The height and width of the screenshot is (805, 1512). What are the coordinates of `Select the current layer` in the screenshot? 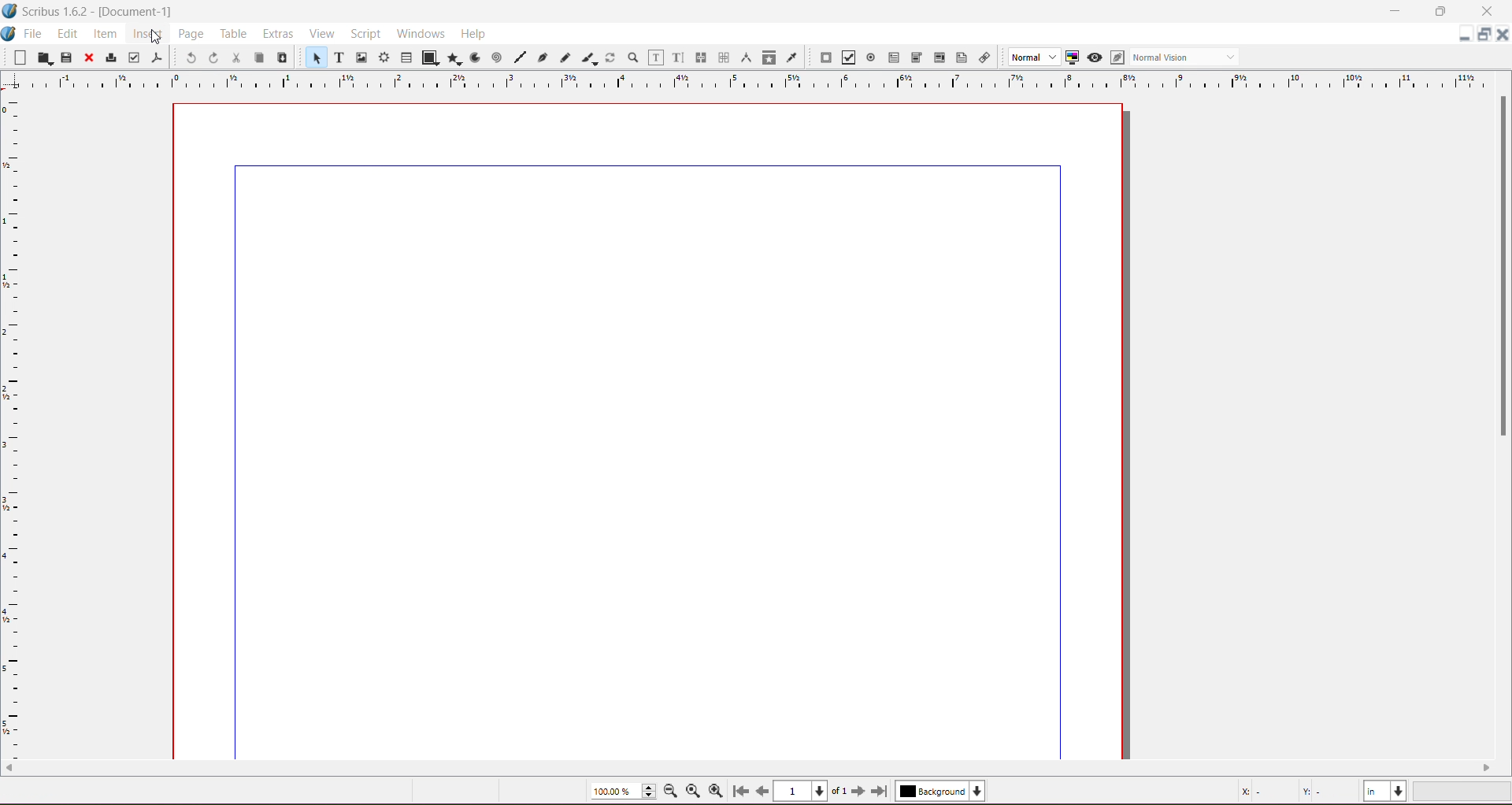 It's located at (940, 791).